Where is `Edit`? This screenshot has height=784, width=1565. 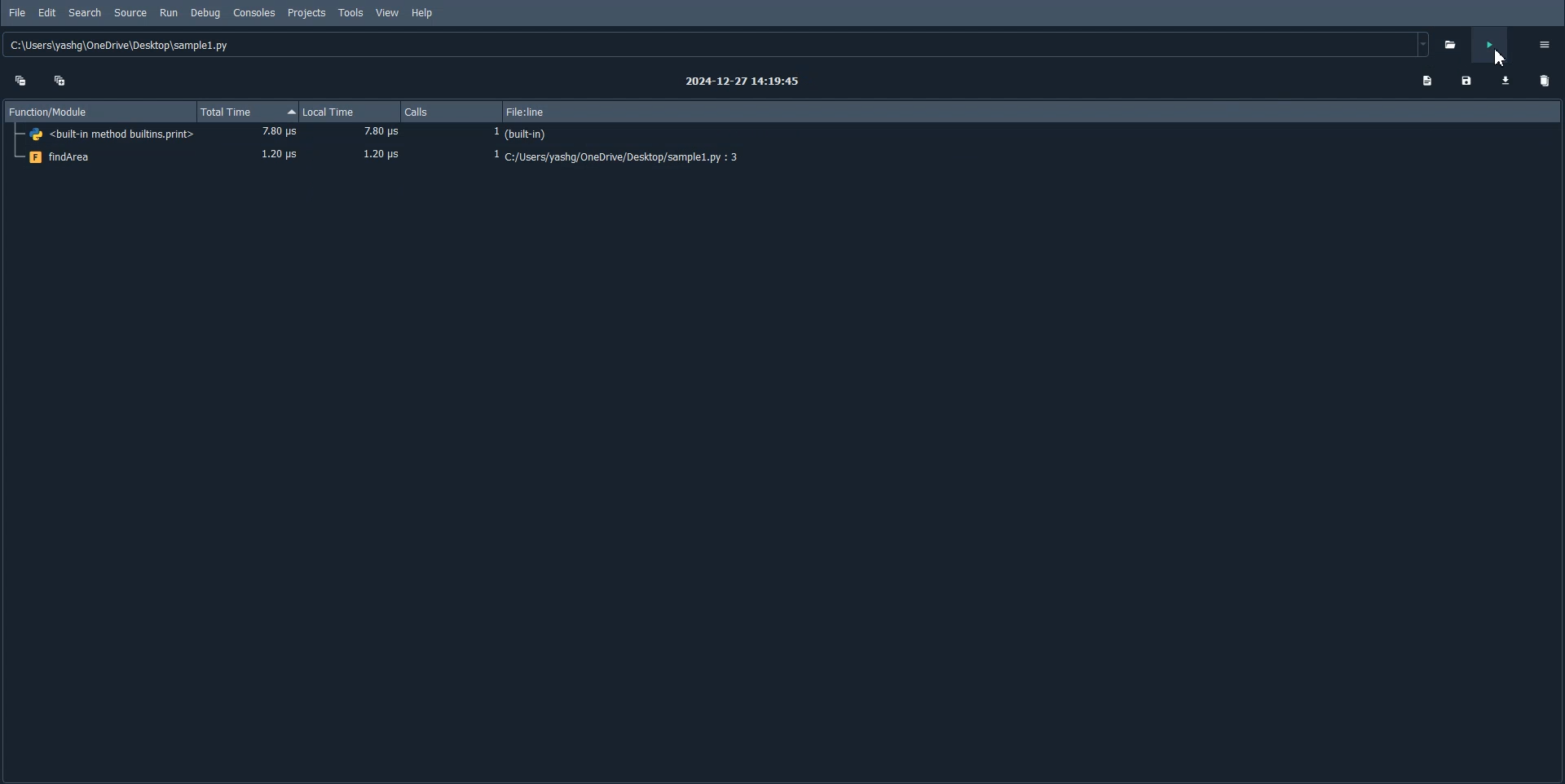 Edit is located at coordinates (47, 13).